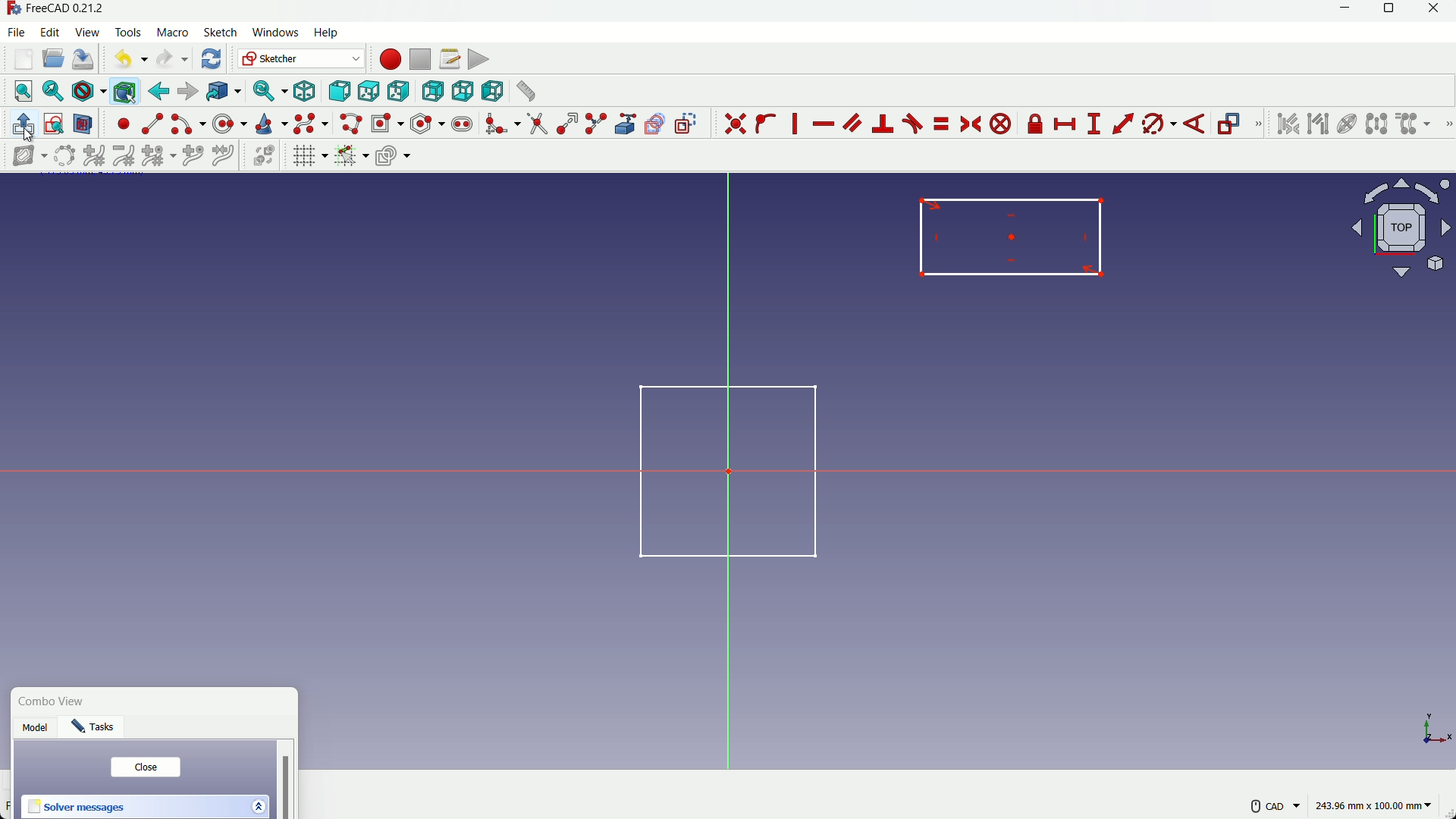  I want to click on toggle snap, so click(351, 155).